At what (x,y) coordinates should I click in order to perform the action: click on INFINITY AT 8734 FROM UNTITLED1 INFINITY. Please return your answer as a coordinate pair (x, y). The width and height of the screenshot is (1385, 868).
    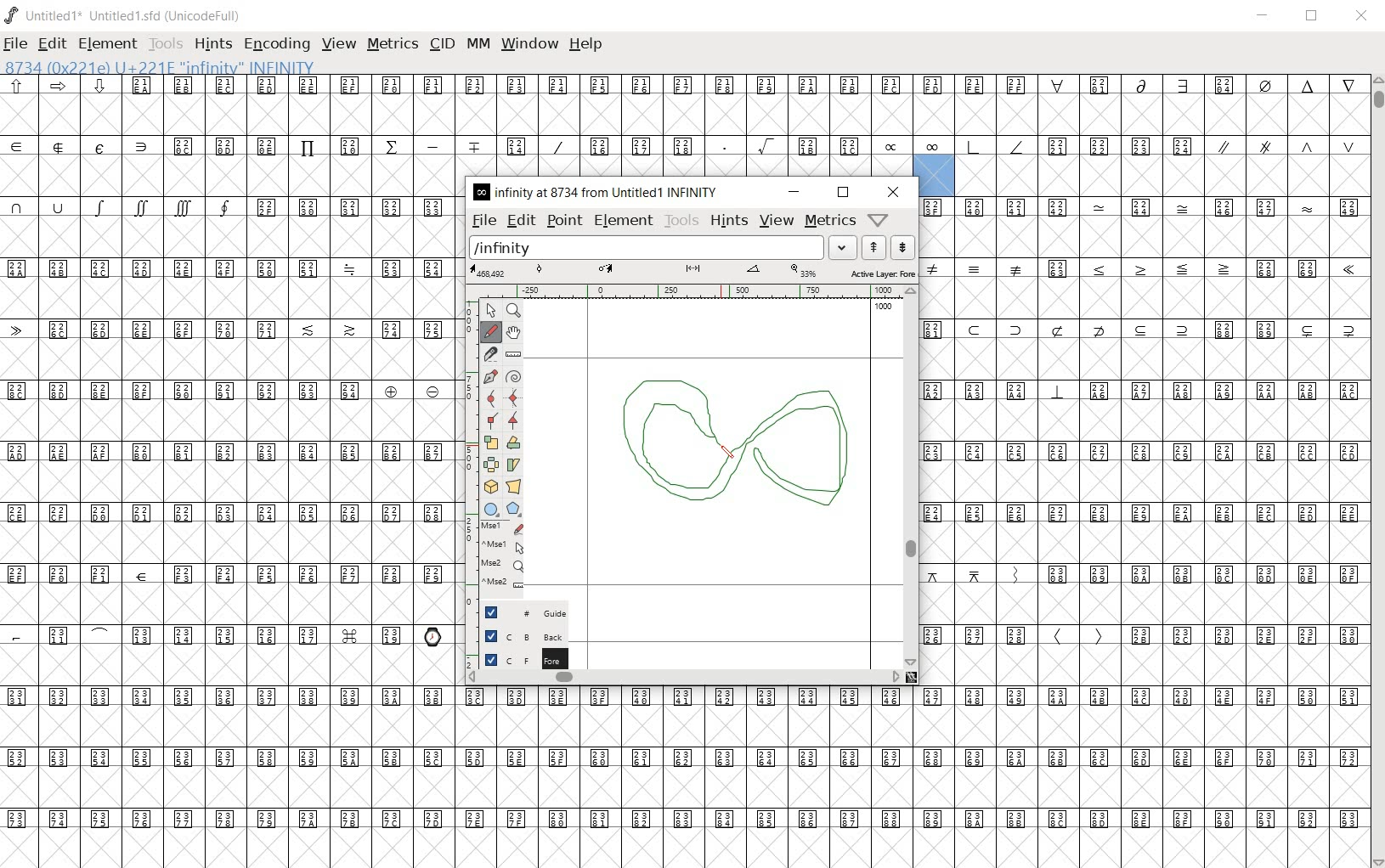
    Looking at the image, I should click on (597, 192).